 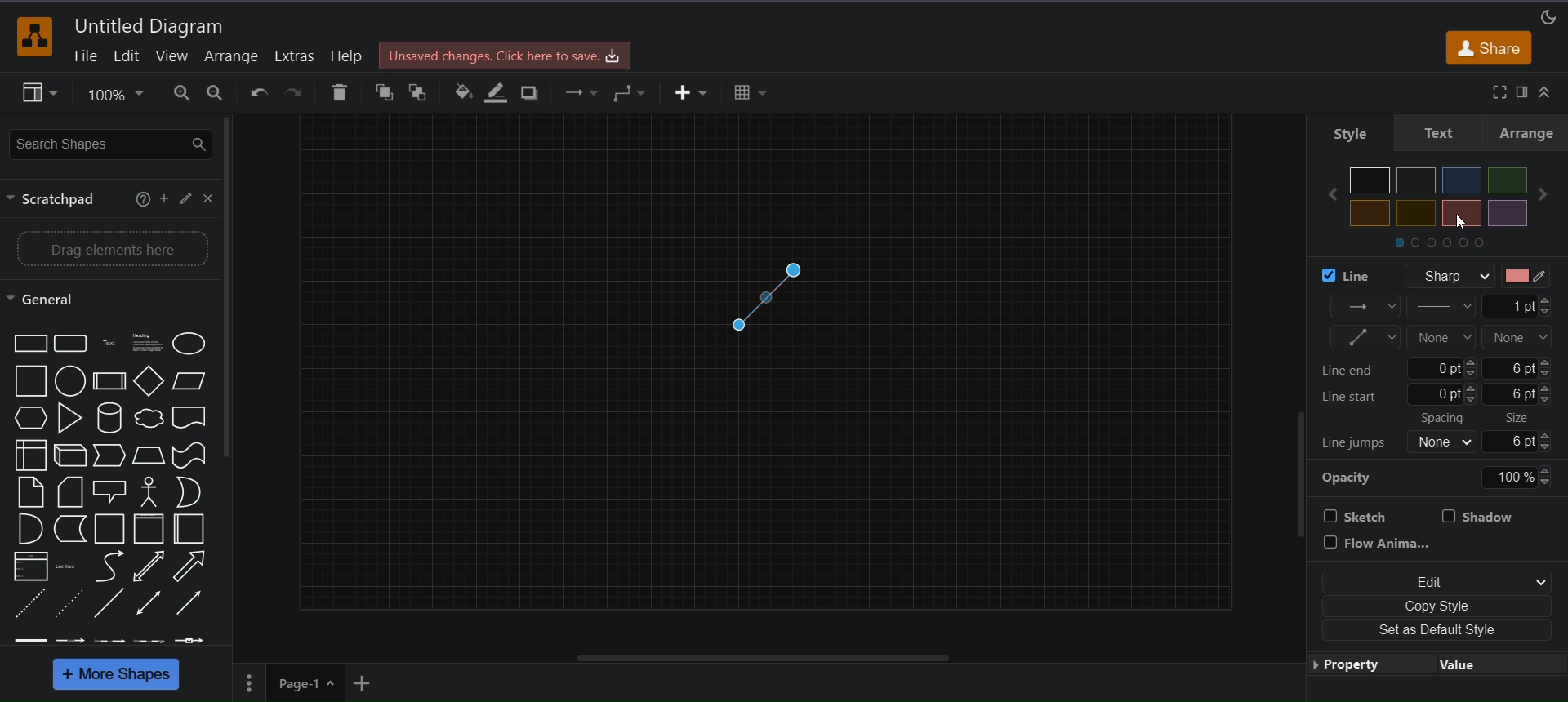 What do you see at coordinates (1525, 91) in the screenshot?
I see `format` at bounding box center [1525, 91].